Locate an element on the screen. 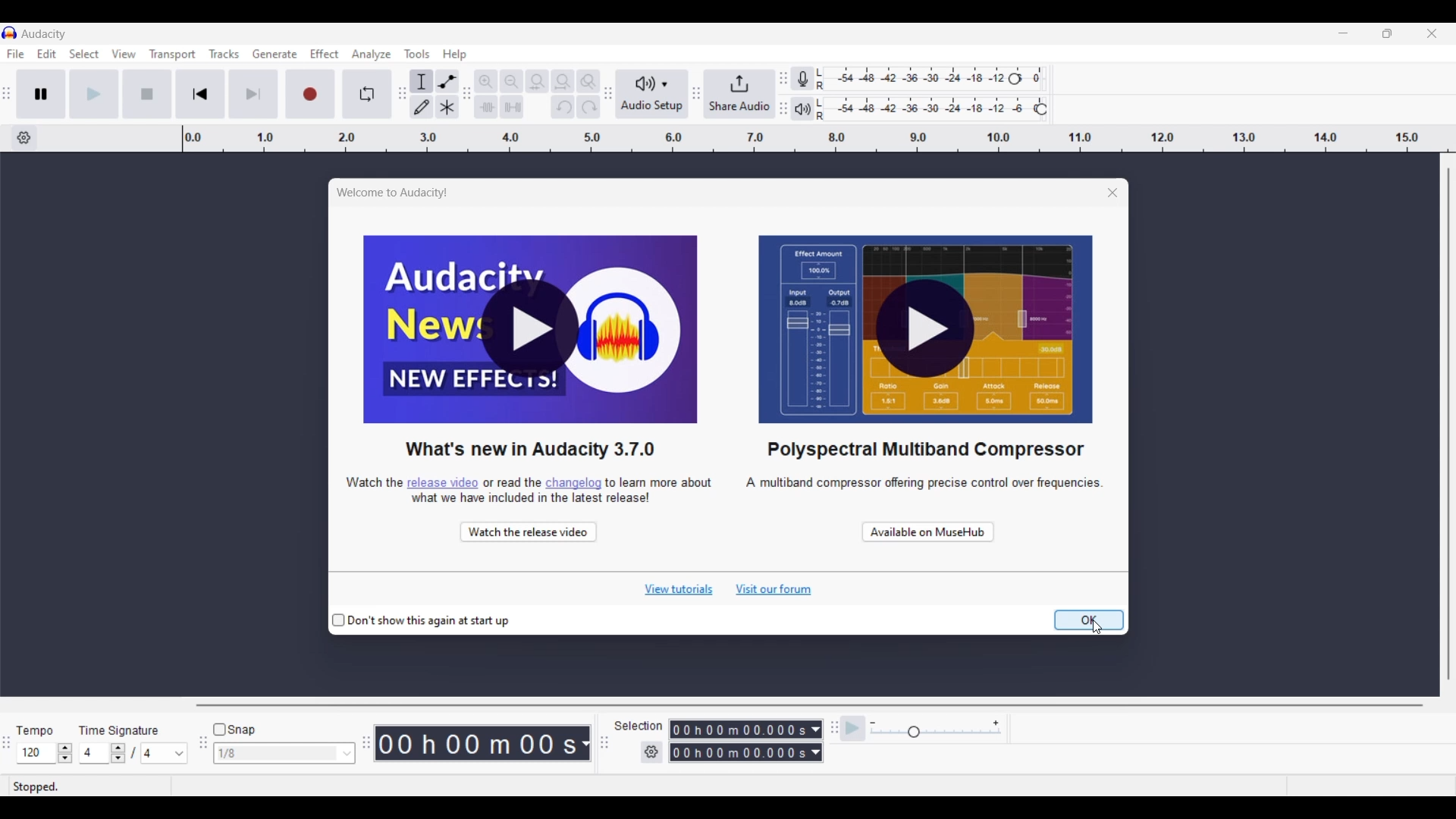  Click to toggle off welcome window is located at coordinates (421, 622).